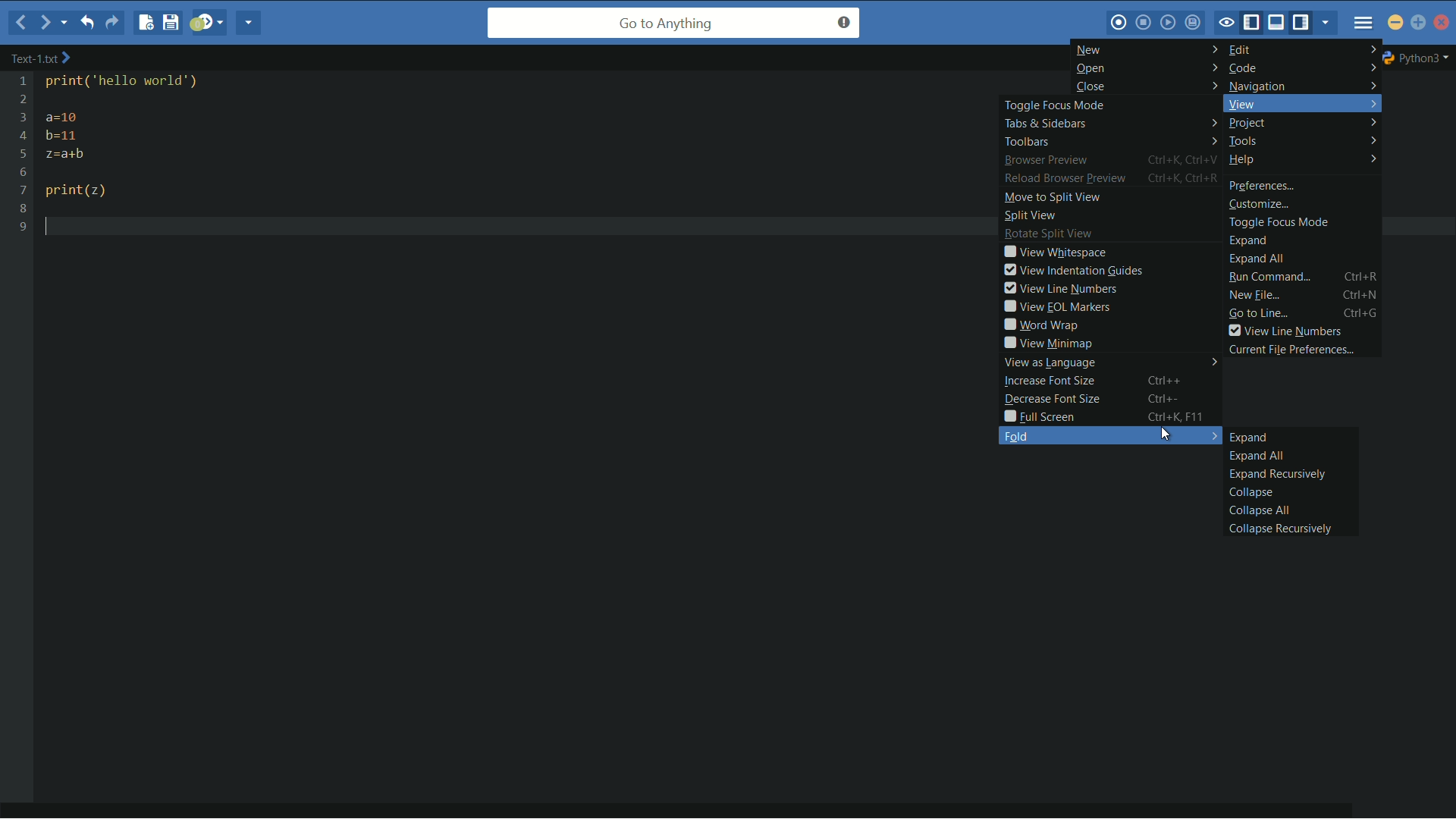 Image resolution: width=1456 pixels, height=819 pixels. What do you see at coordinates (251, 24) in the screenshot?
I see `share current file` at bounding box center [251, 24].